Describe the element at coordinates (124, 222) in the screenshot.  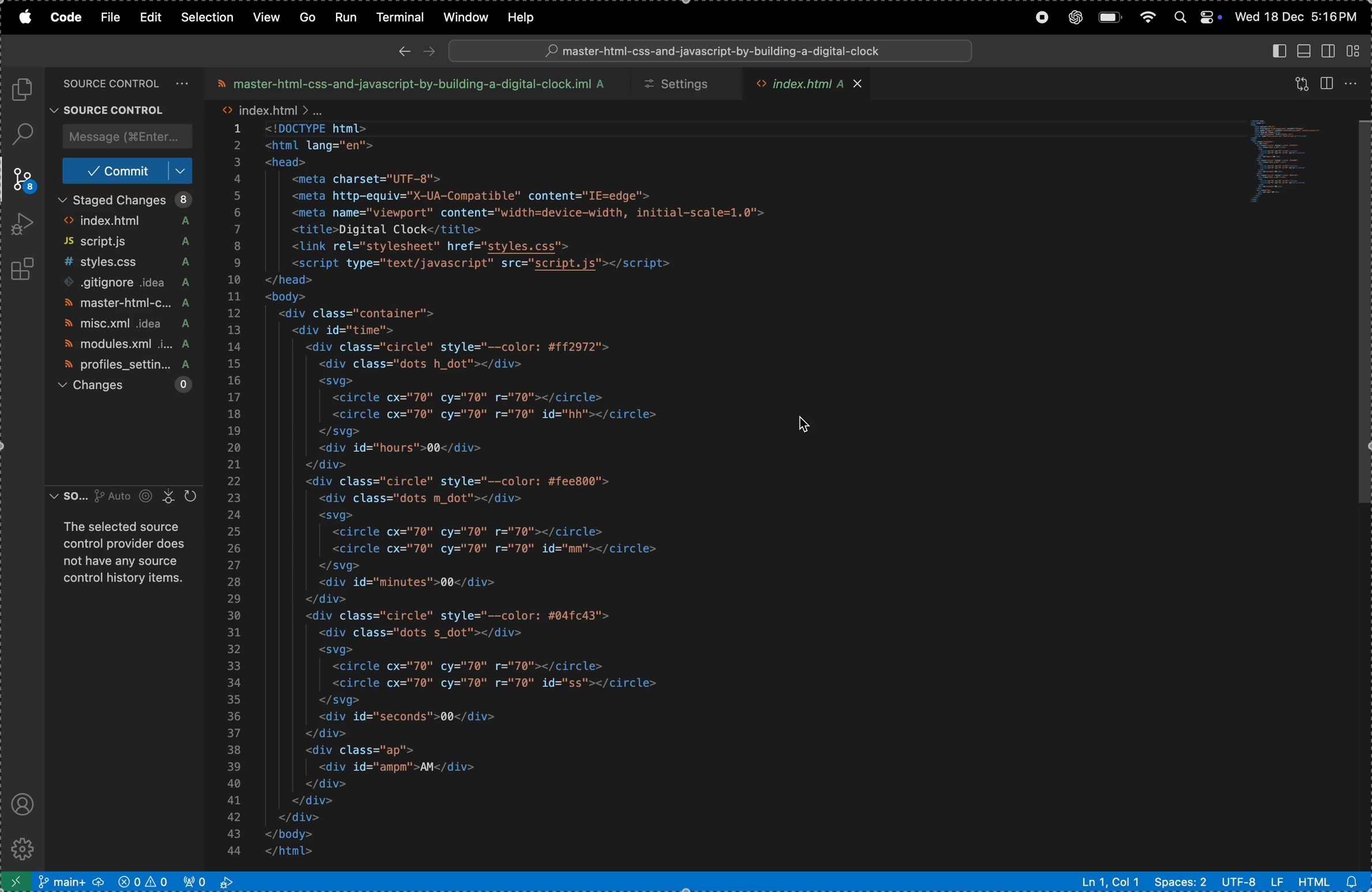
I see `index.html` at that location.